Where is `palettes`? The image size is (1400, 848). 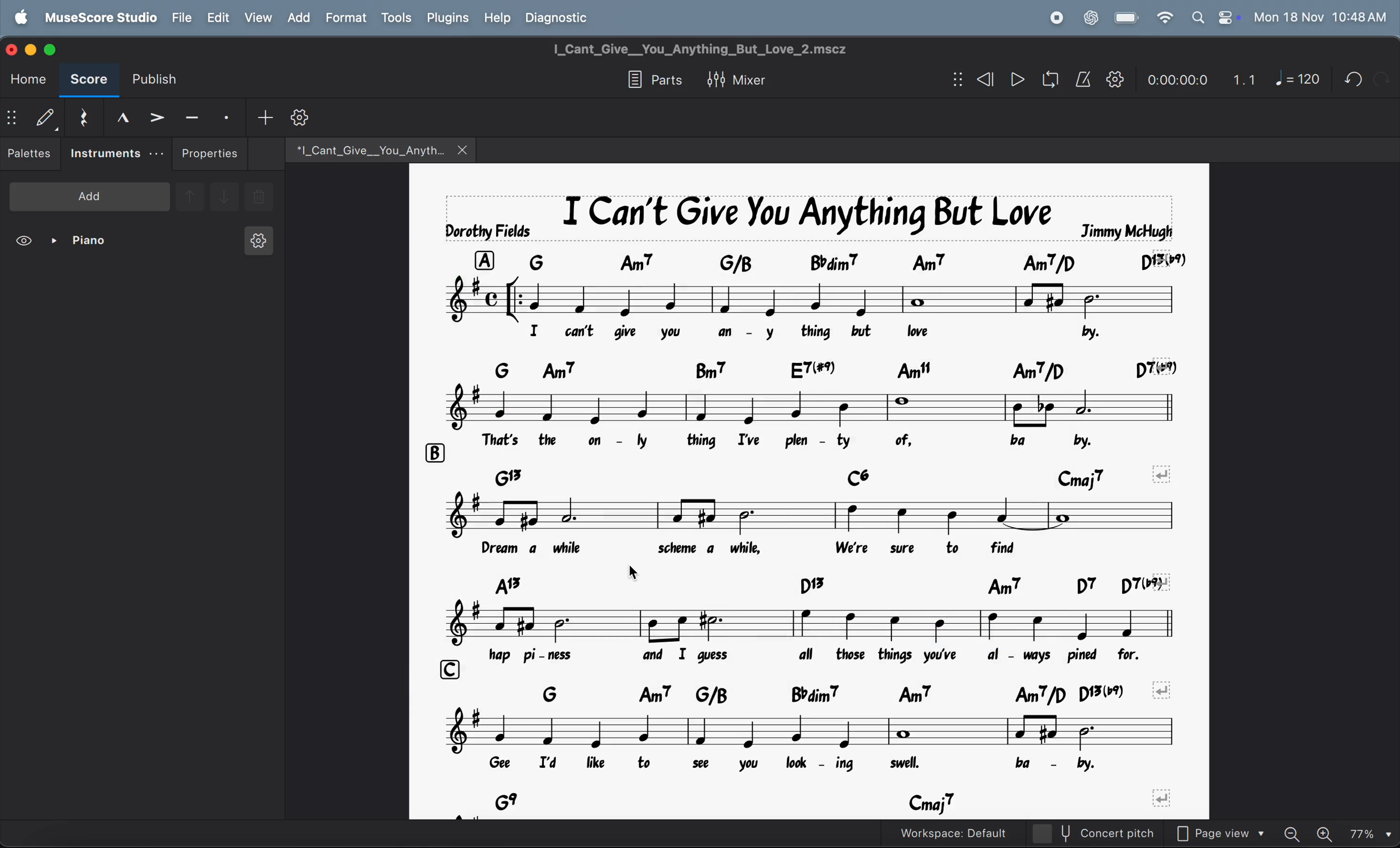
palettes is located at coordinates (31, 156).